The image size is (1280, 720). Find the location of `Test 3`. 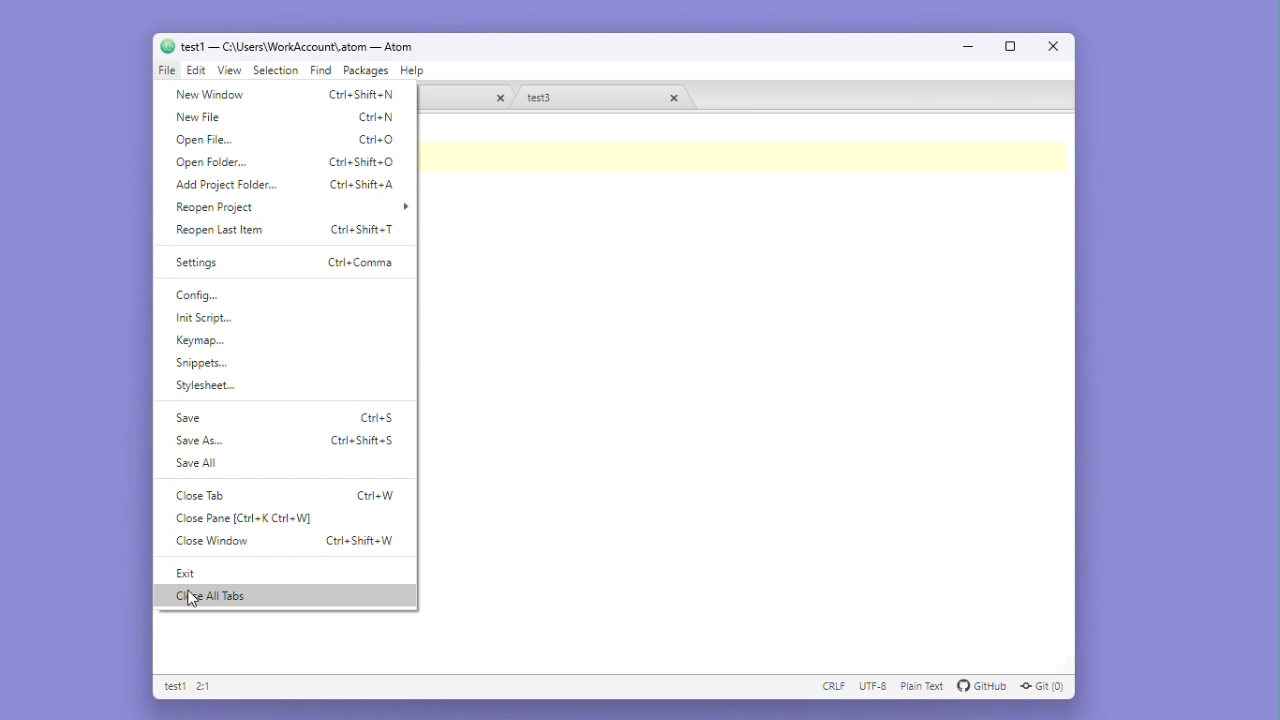

Test 3 is located at coordinates (570, 97).